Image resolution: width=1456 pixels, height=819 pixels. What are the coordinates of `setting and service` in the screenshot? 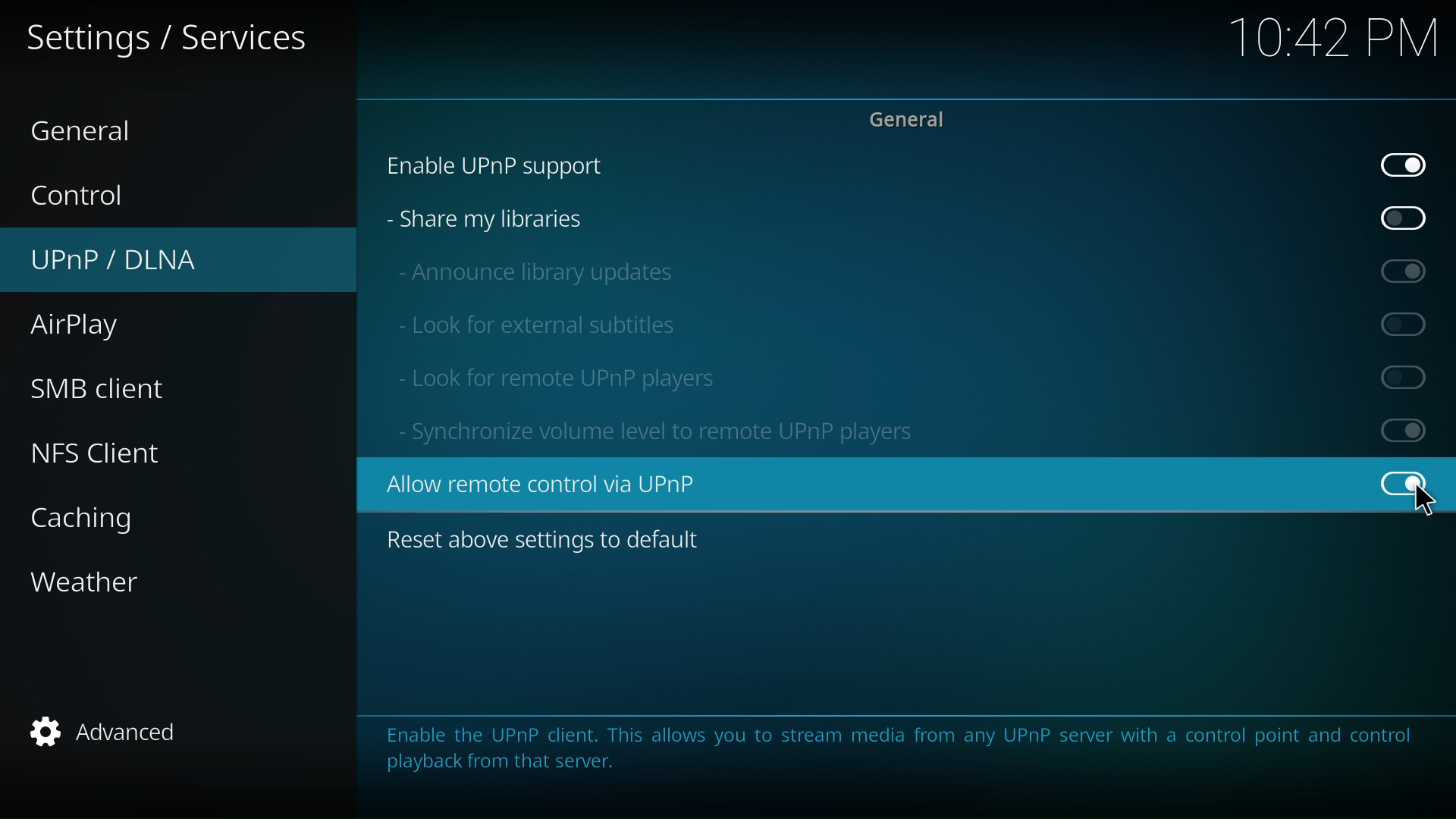 It's located at (169, 40).